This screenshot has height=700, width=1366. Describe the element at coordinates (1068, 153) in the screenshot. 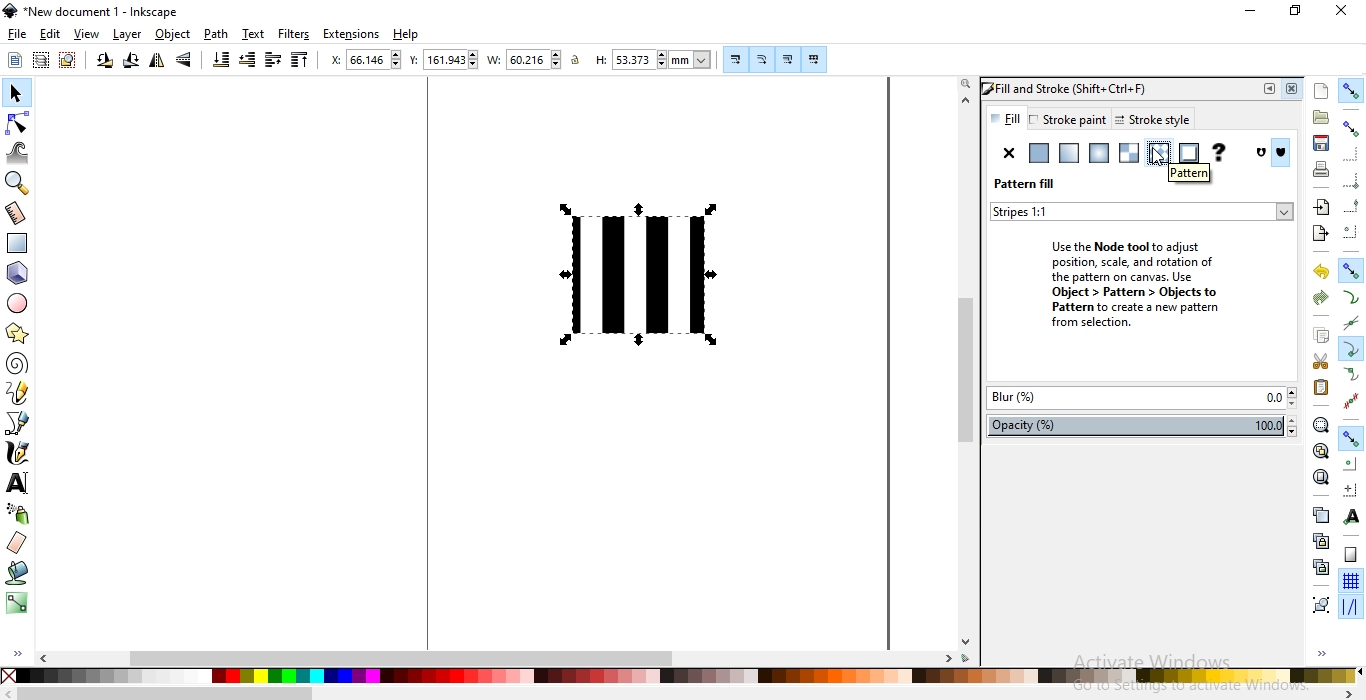

I see `linear gradient` at that location.